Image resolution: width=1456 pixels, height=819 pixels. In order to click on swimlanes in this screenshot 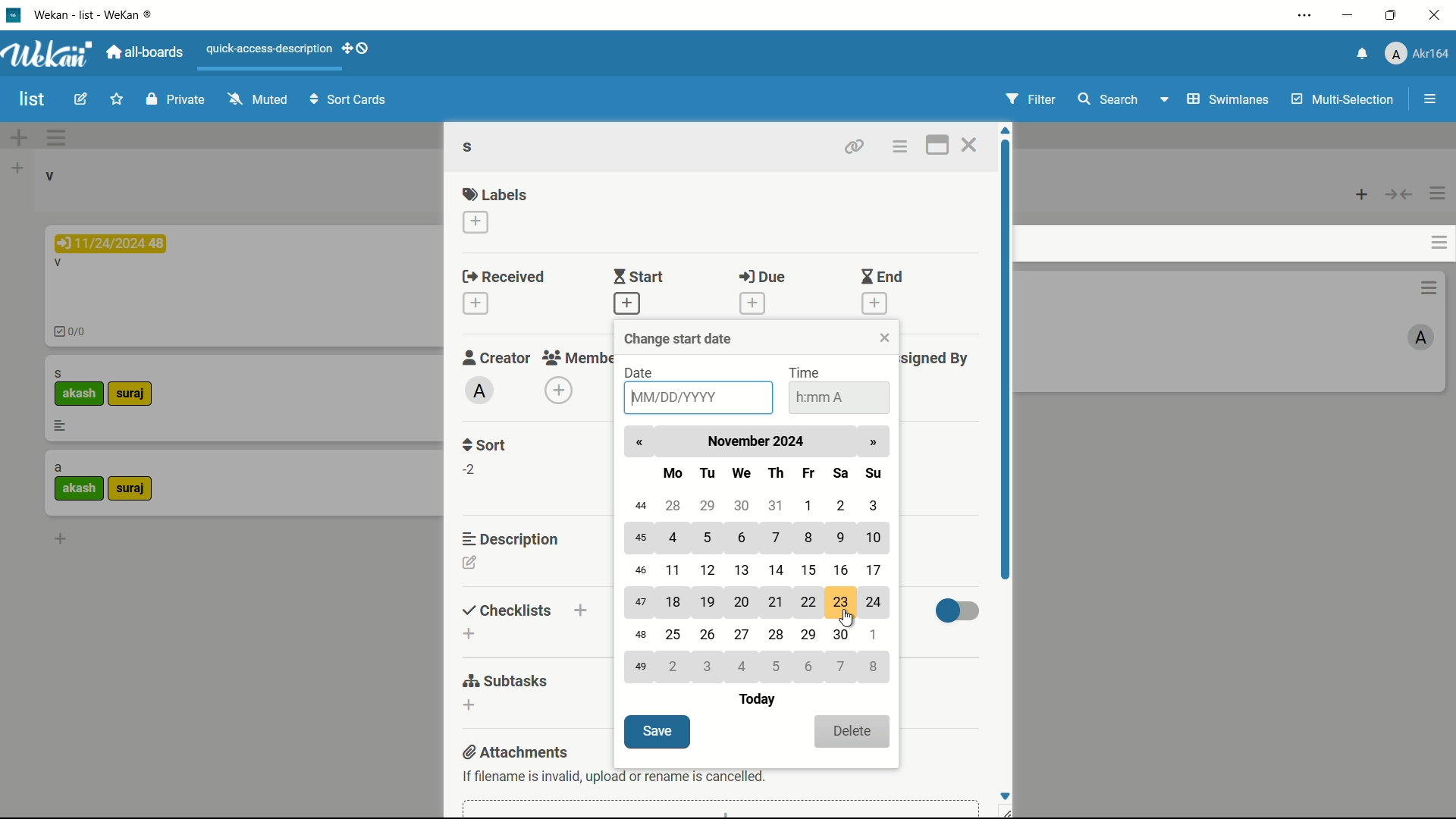, I will do `click(1229, 99)`.